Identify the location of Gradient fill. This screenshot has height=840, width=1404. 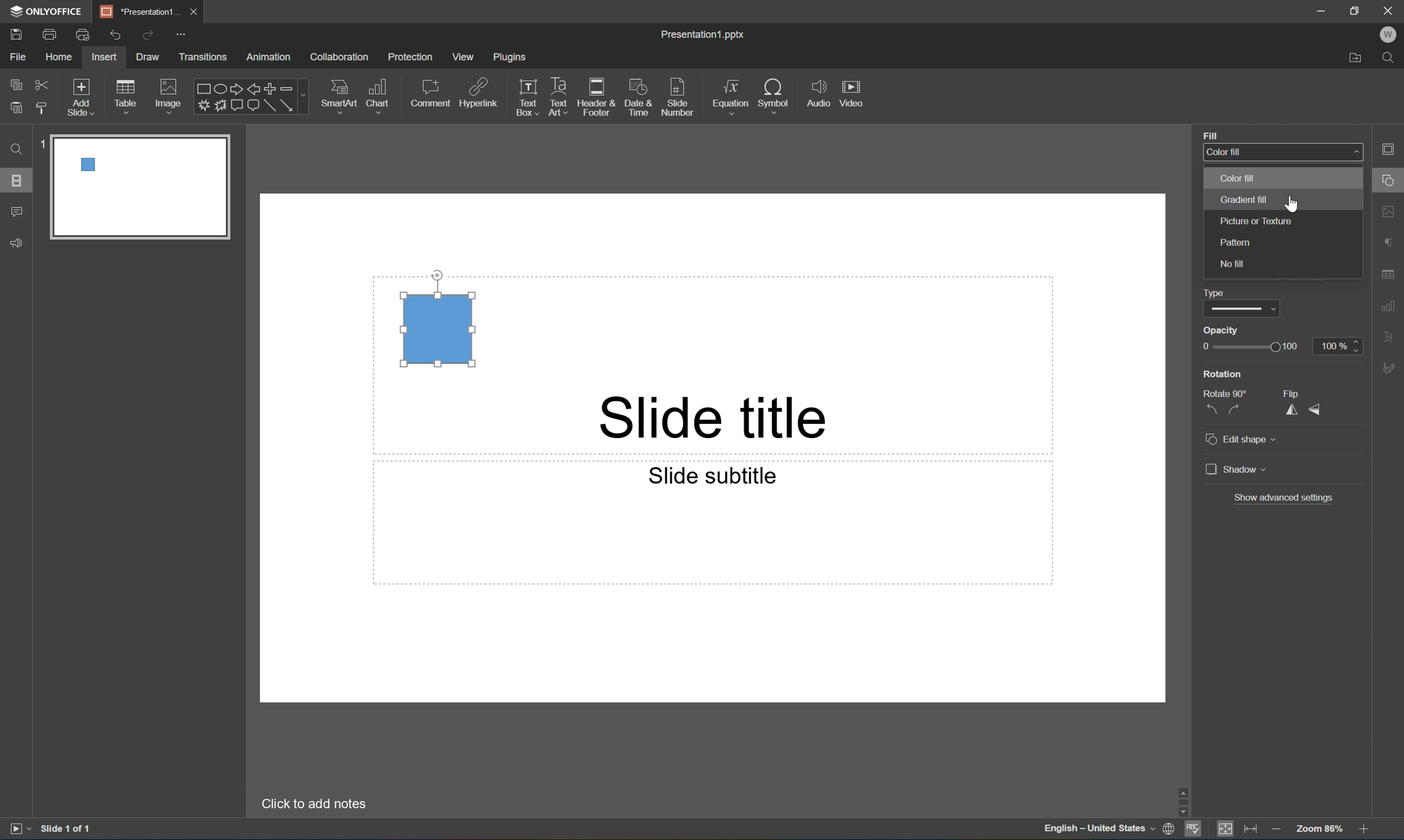
(1244, 199).